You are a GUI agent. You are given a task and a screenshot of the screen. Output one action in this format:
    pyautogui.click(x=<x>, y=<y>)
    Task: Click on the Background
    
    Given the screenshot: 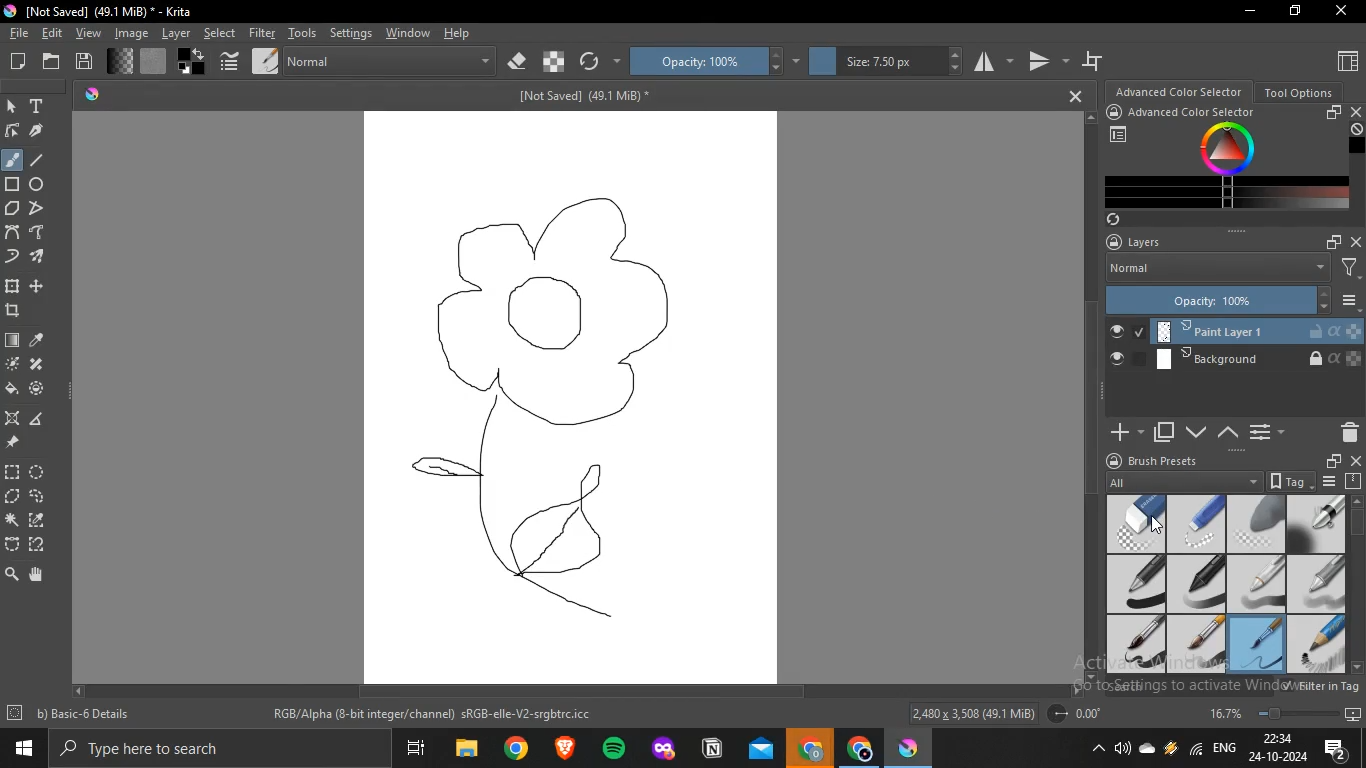 What is the action you would take?
    pyautogui.click(x=1235, y=359)
    